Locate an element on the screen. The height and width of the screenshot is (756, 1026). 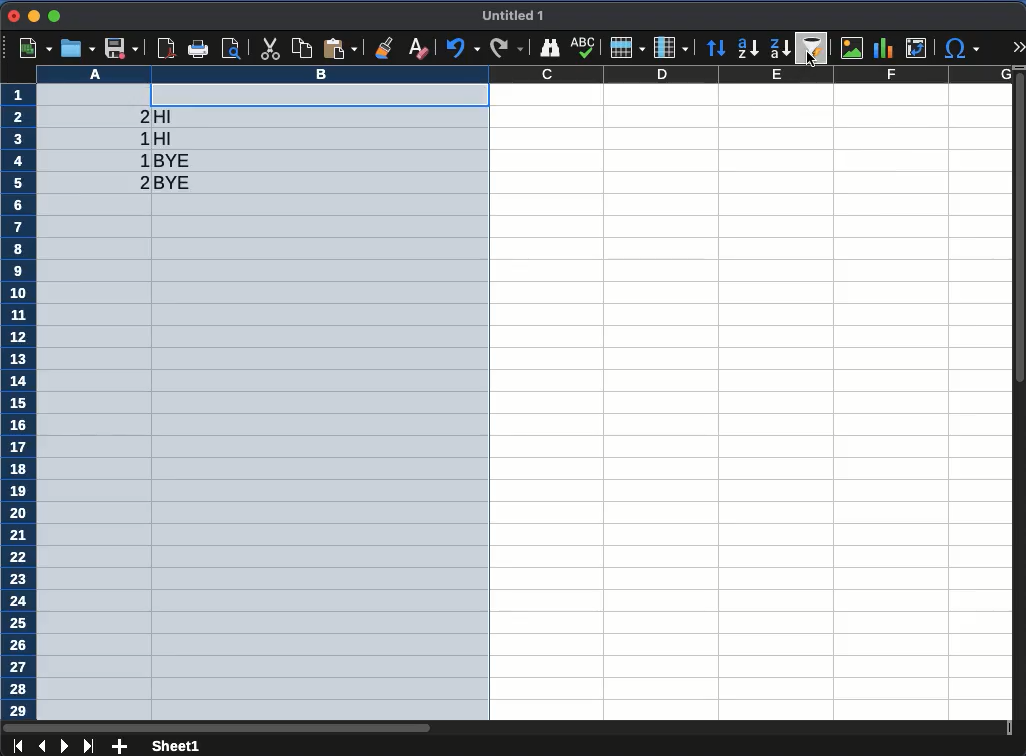
abc is located at coordinates (580, 47).